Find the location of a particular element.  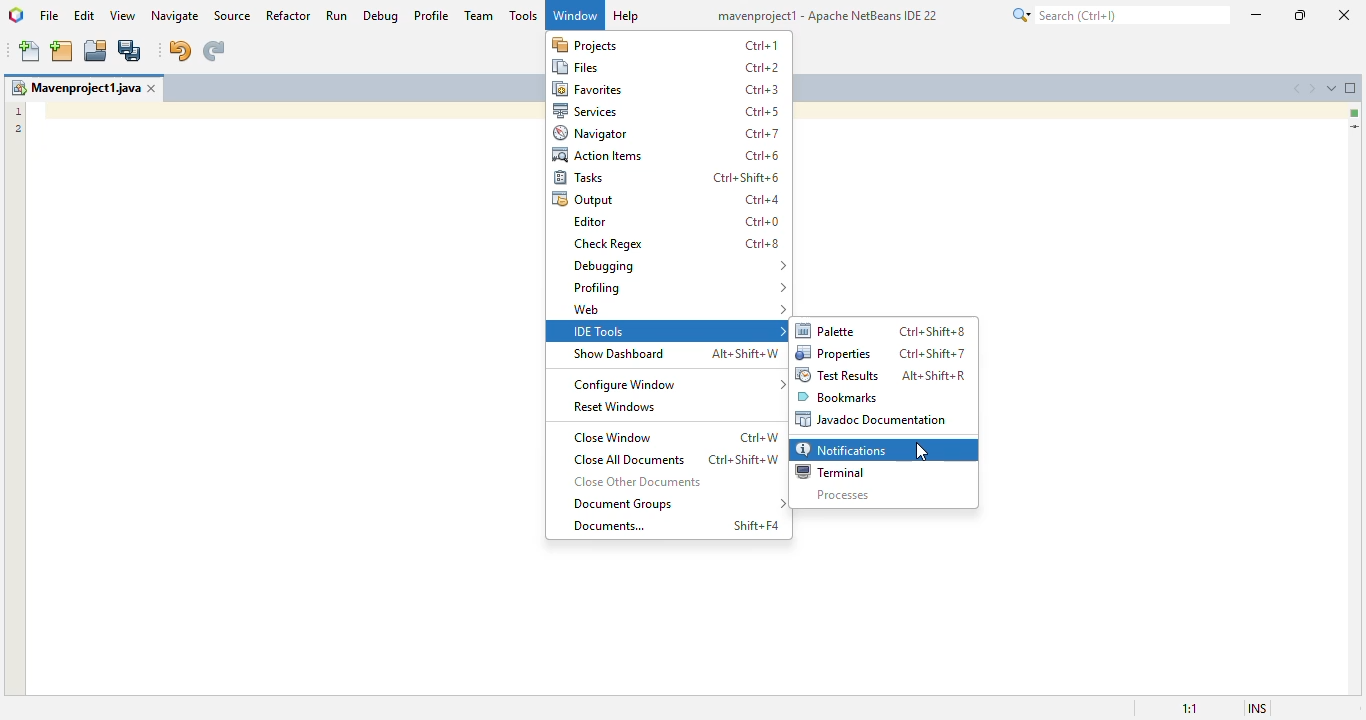

document groups is located at coordinates (680, 504).